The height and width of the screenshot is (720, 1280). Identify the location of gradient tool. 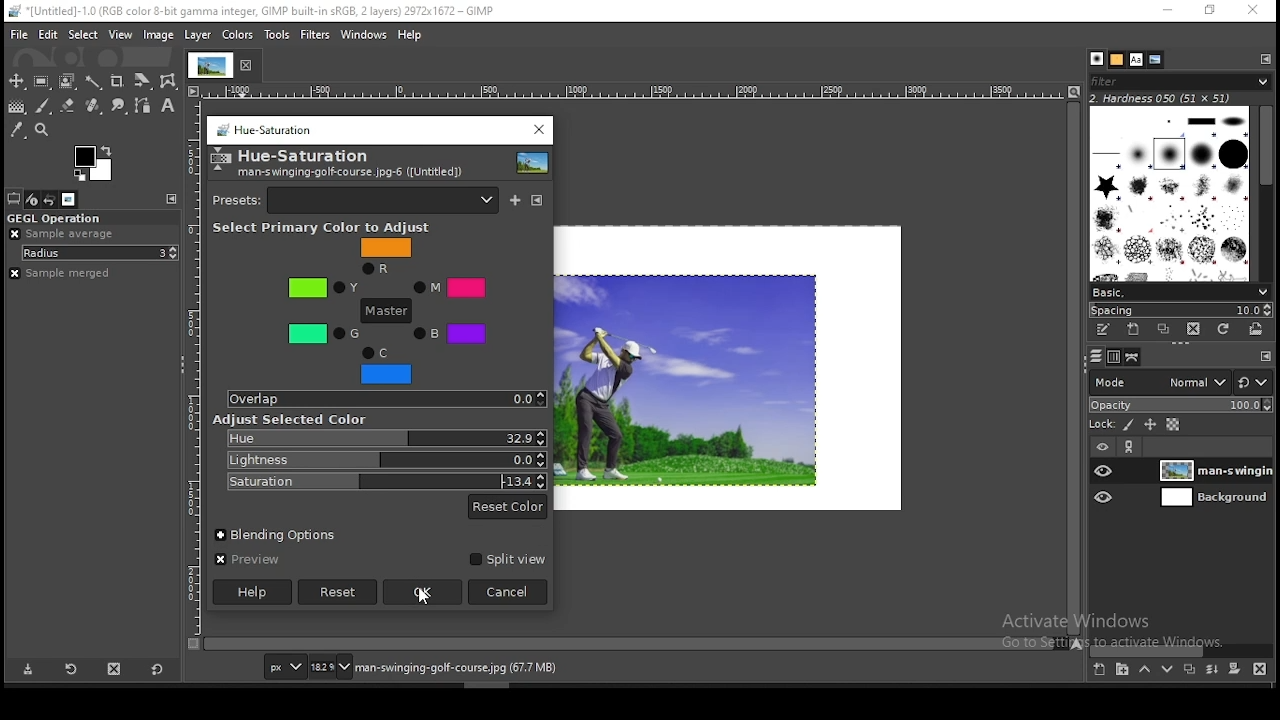
(16, 105).